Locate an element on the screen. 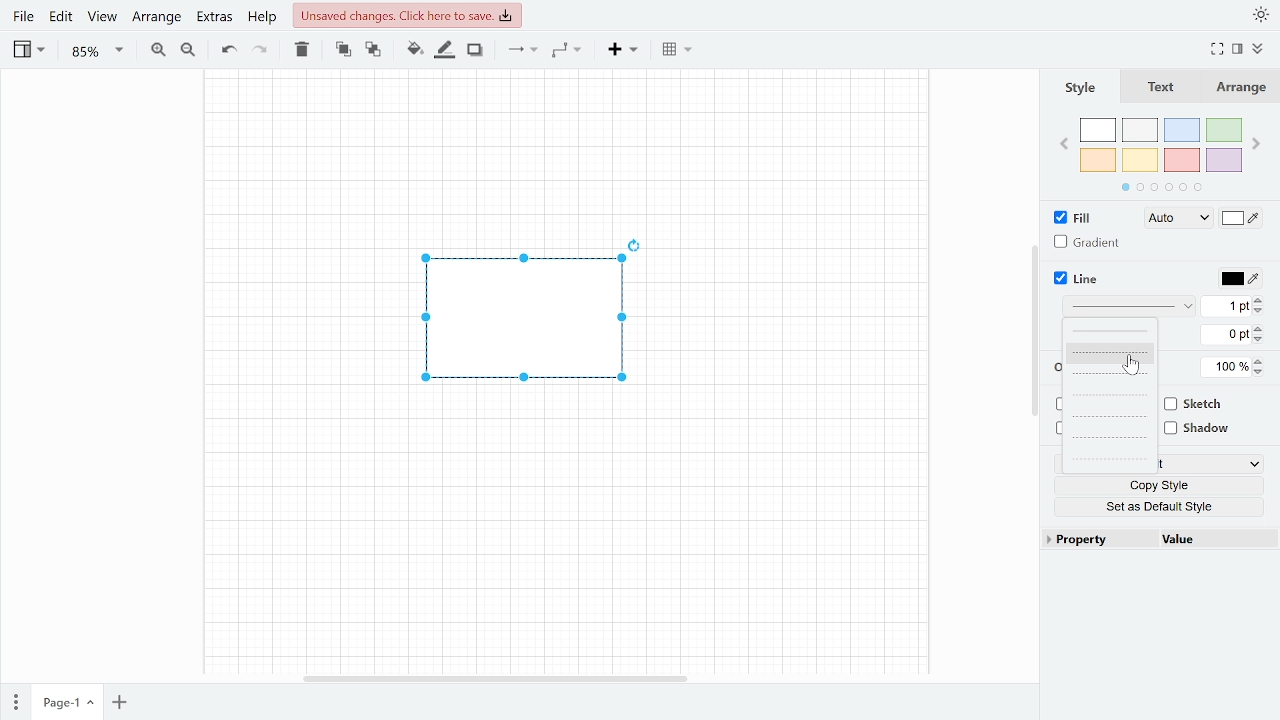 The width and height of the screenshot is (1280, 720). Increase opacity is located at coordinates (1263, 360).